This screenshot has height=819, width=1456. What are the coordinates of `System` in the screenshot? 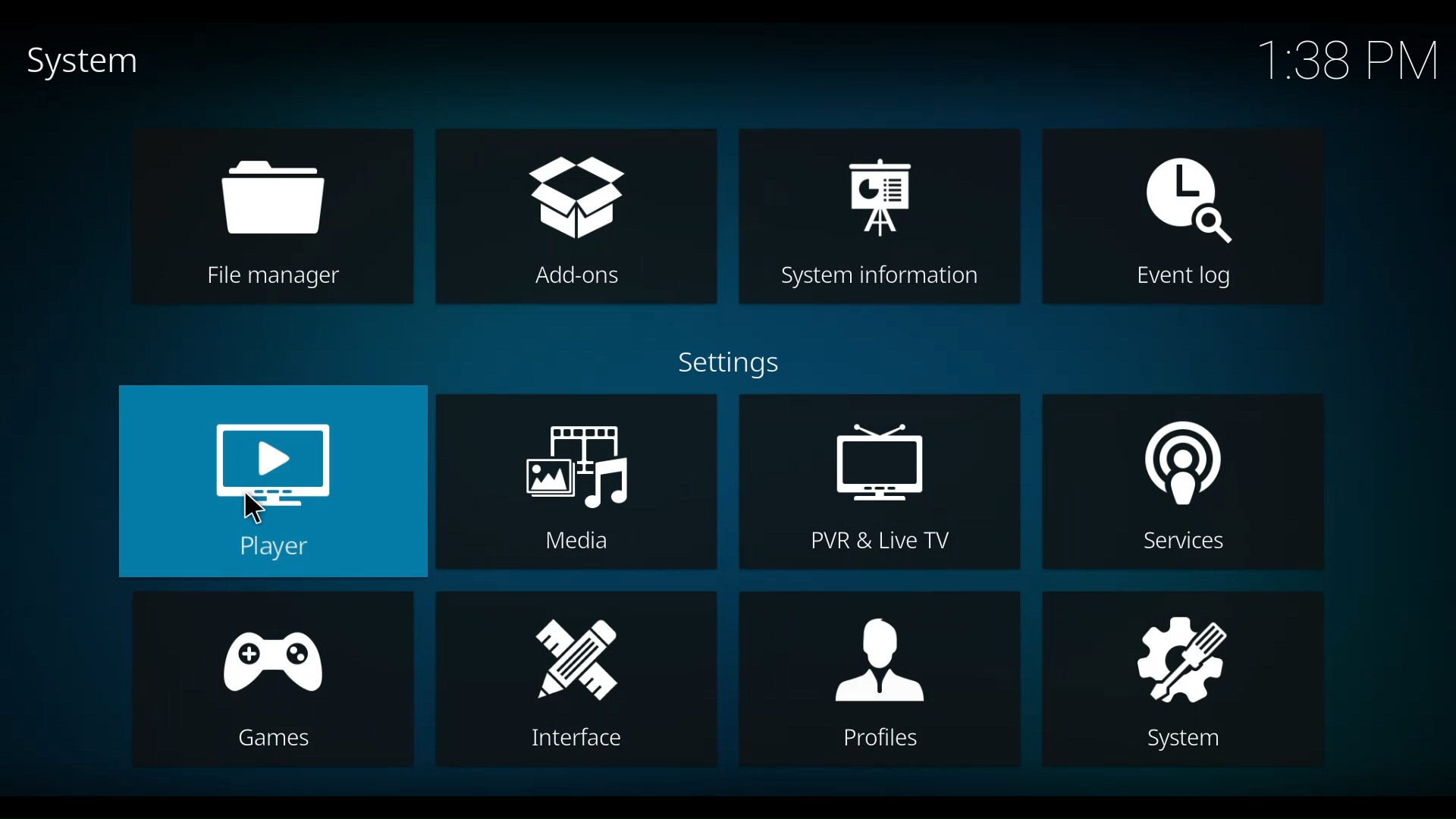 It's located at (1181, 681).